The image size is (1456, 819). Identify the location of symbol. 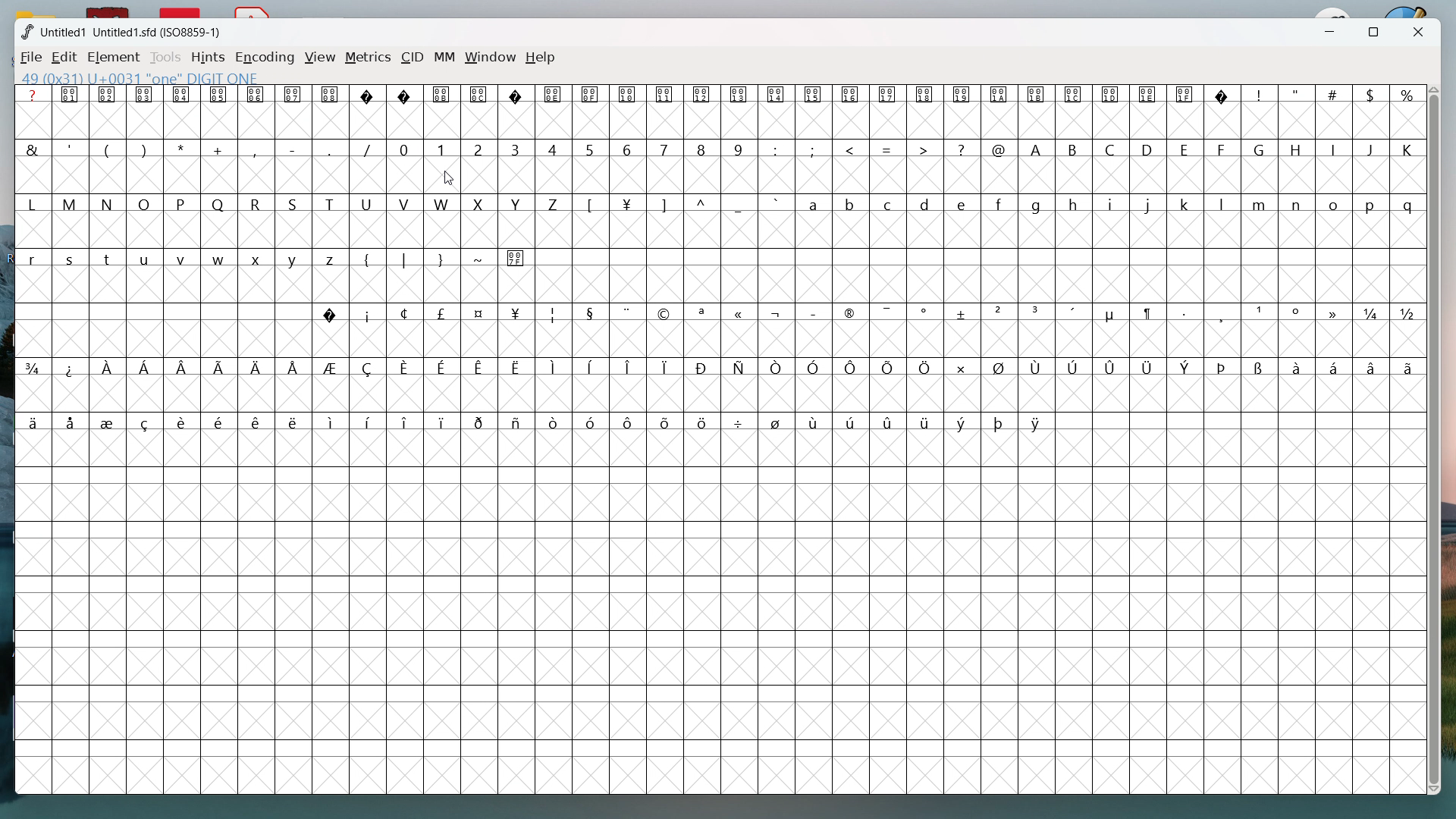
(1112, 94).